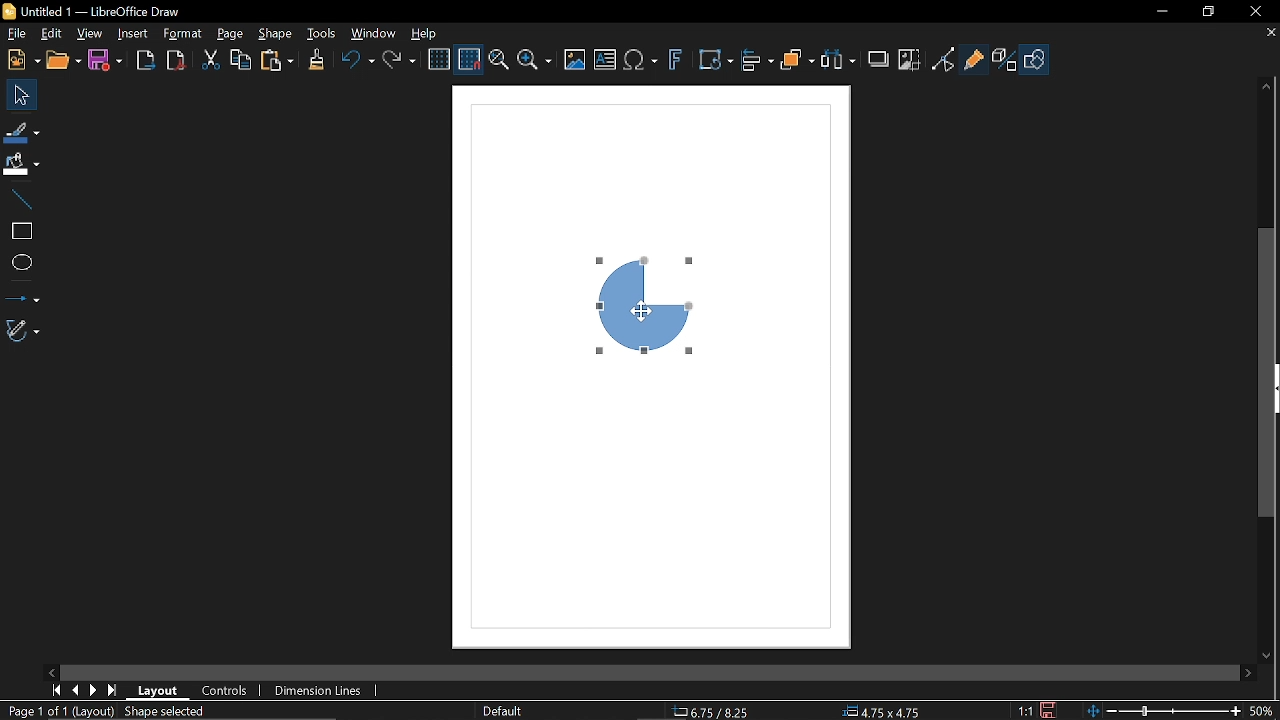  Describe the element at coordinates (278, 34) in the screenshot. I see `Shape` at that location.